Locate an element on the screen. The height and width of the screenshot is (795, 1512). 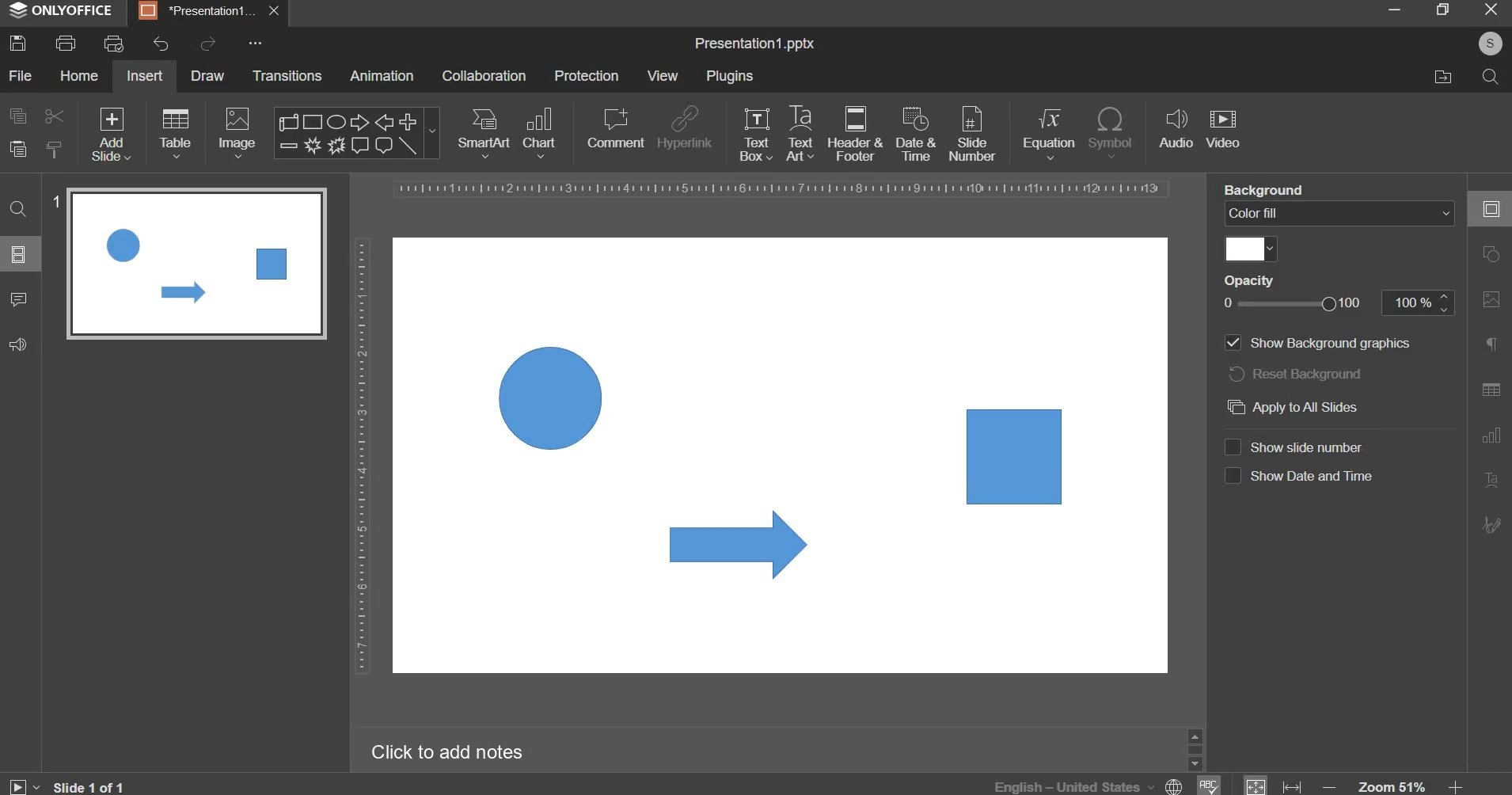
equation is located at coordinates (1048, 131).